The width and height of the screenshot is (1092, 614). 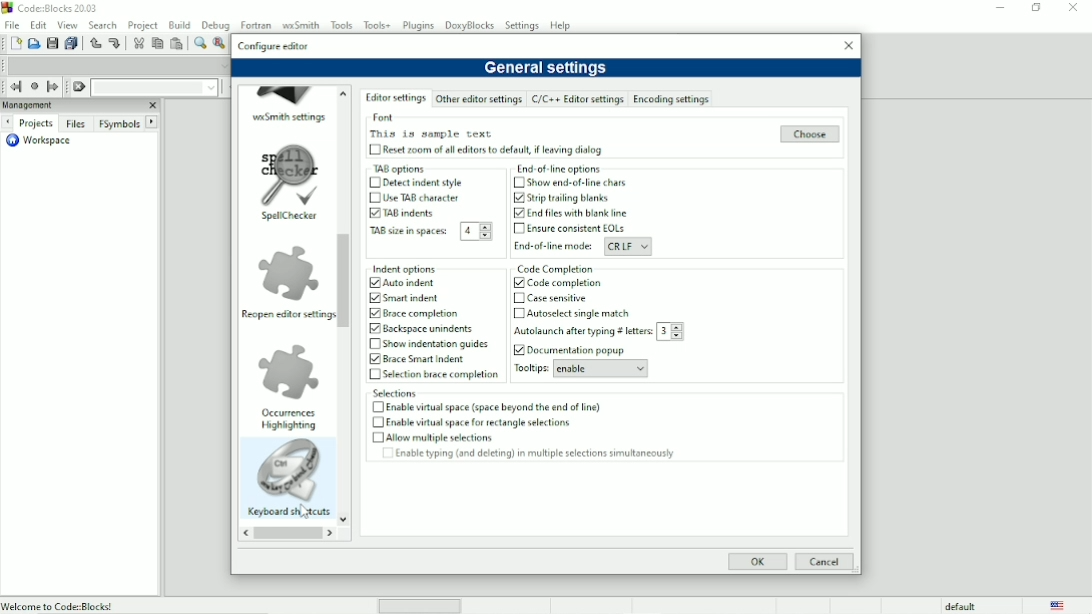 I want to click on Image, so click(x=289, y=471).